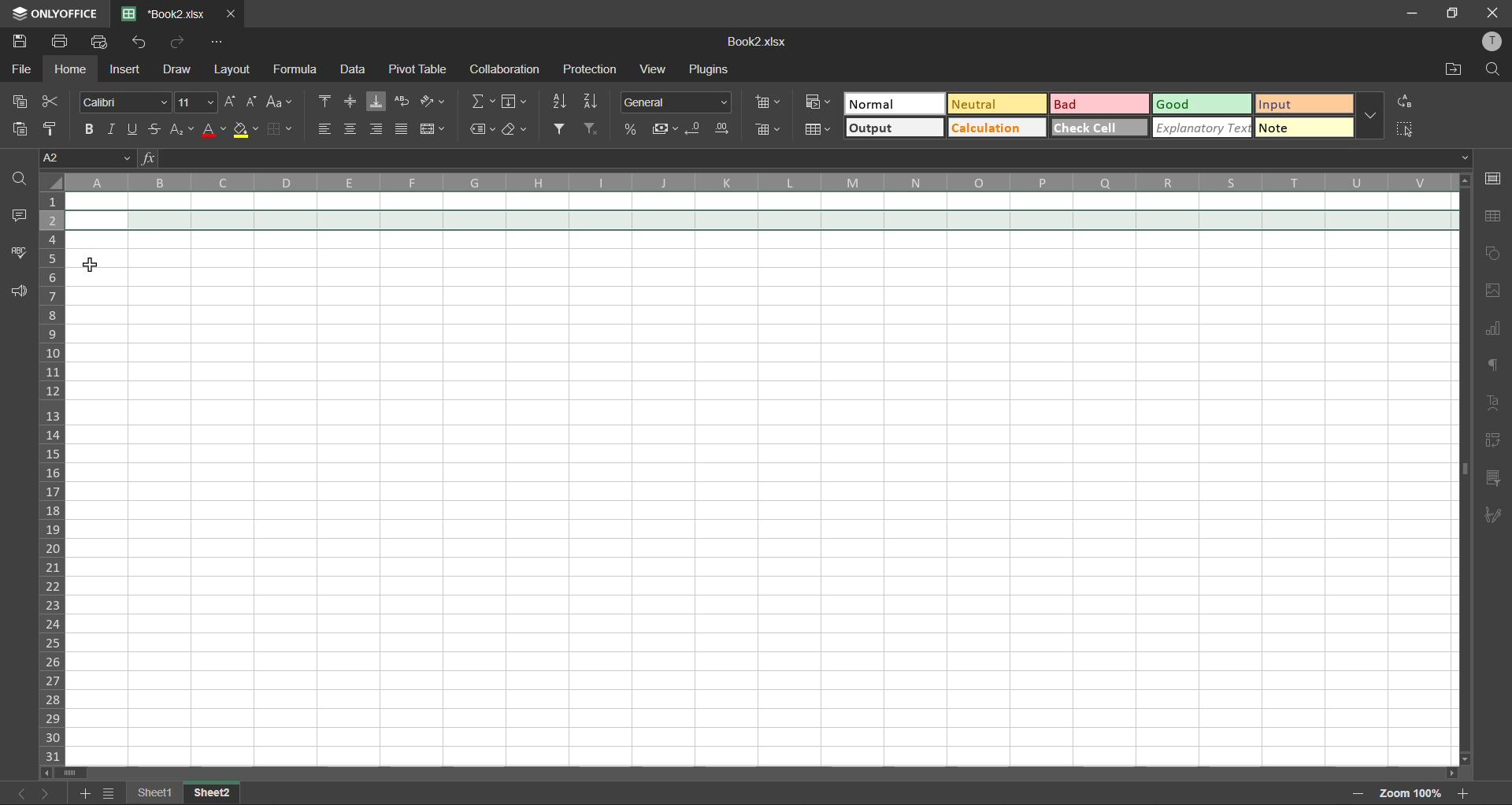 The height and width of the screenshot is (805, 1512). Describe the element at coordinates (759, 182) in the screenshot. I see `column names` at that location.